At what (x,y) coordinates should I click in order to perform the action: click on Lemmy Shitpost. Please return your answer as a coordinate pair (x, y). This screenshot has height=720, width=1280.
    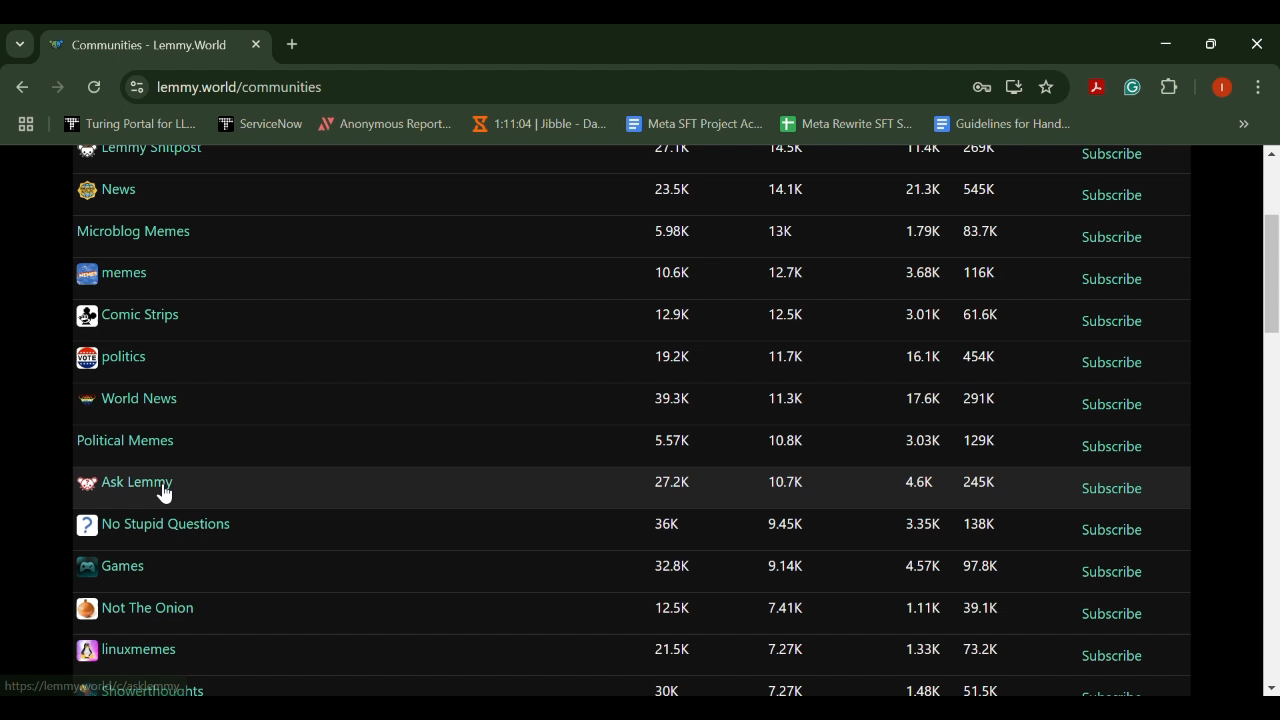
    Looking at the image, I should click on (144, 153).